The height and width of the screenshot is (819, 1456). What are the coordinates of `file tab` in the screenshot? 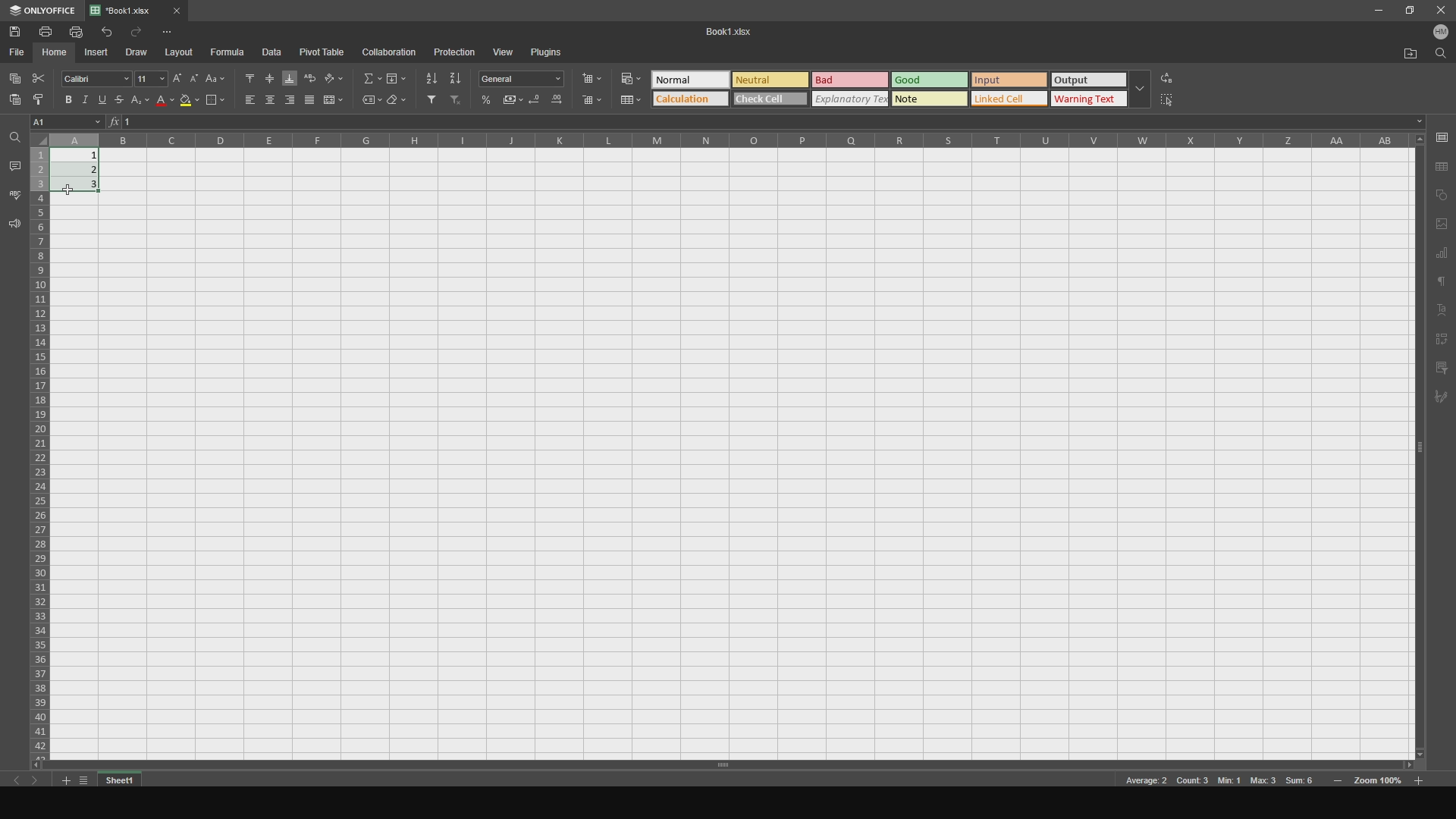 It's located at (154, 9).